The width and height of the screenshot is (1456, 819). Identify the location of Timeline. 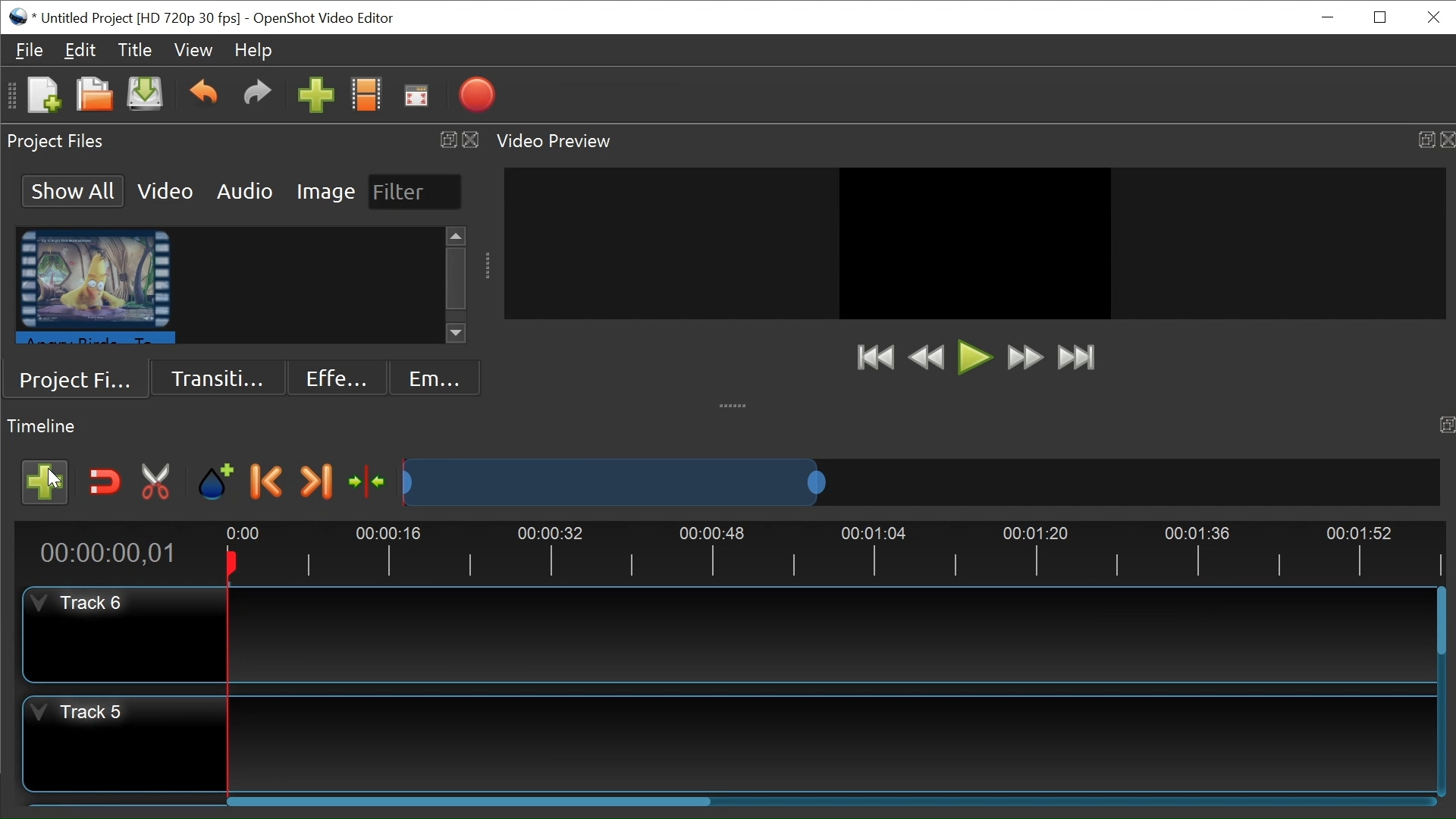
(730, 553).